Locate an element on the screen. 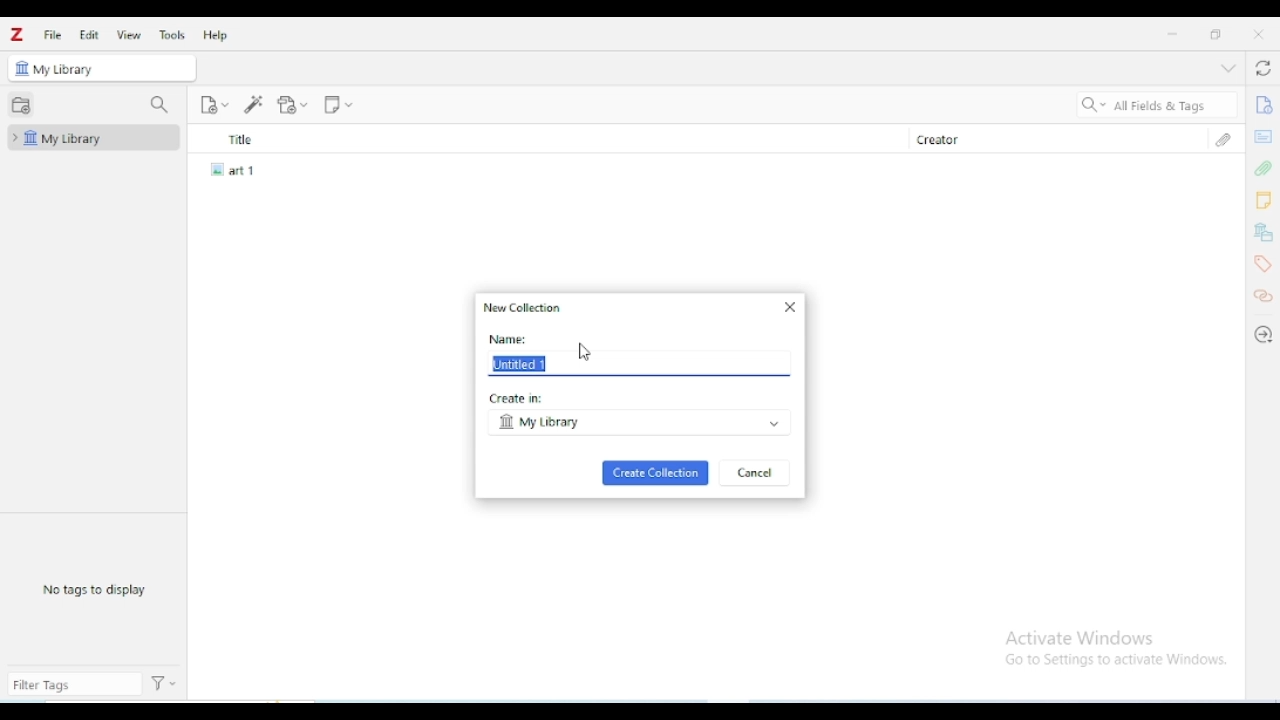 This screenshot has width=1280, height=720. edit is located at coordinates (89, 35).